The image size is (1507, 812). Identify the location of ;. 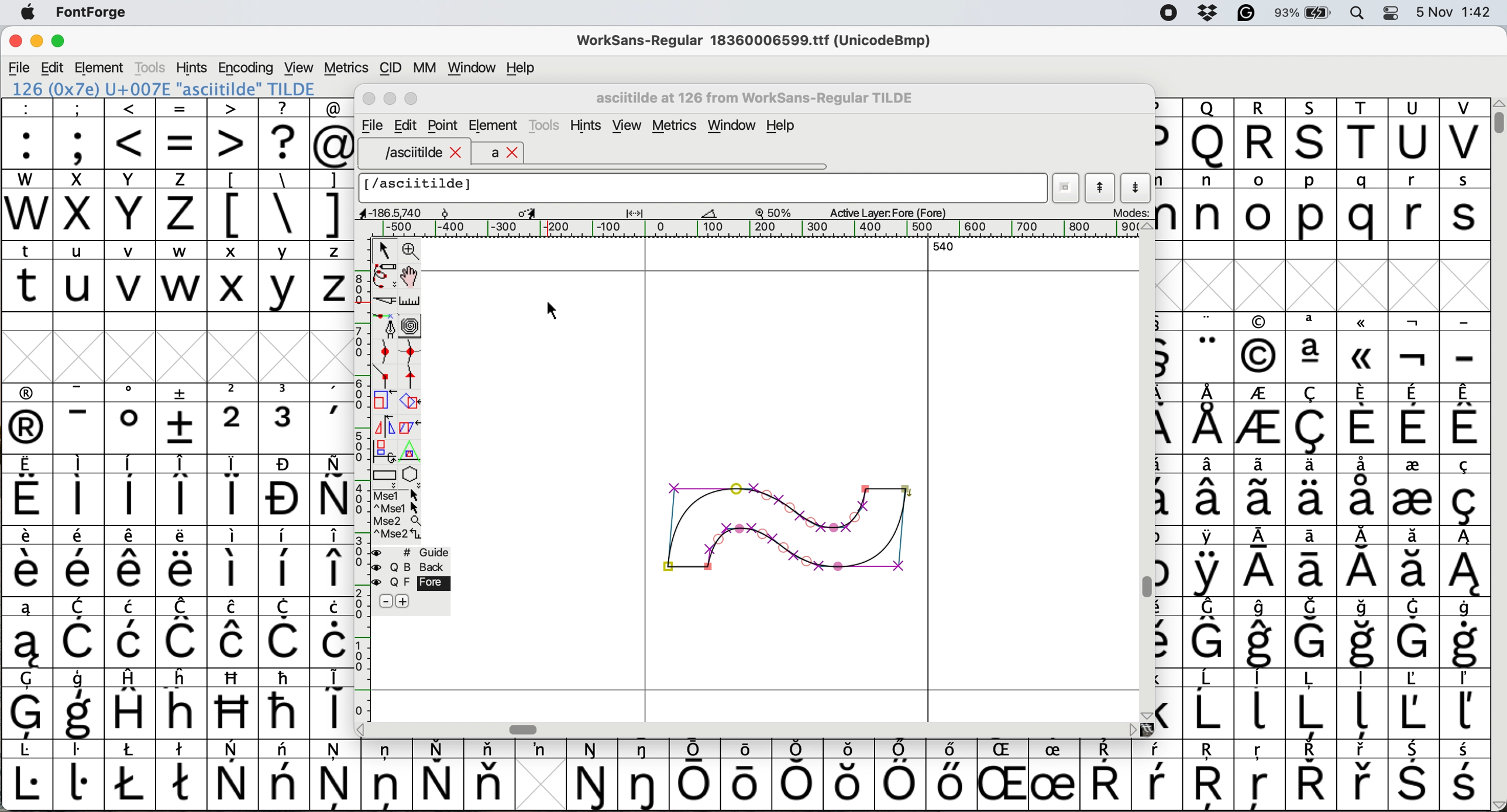
(79, 132).